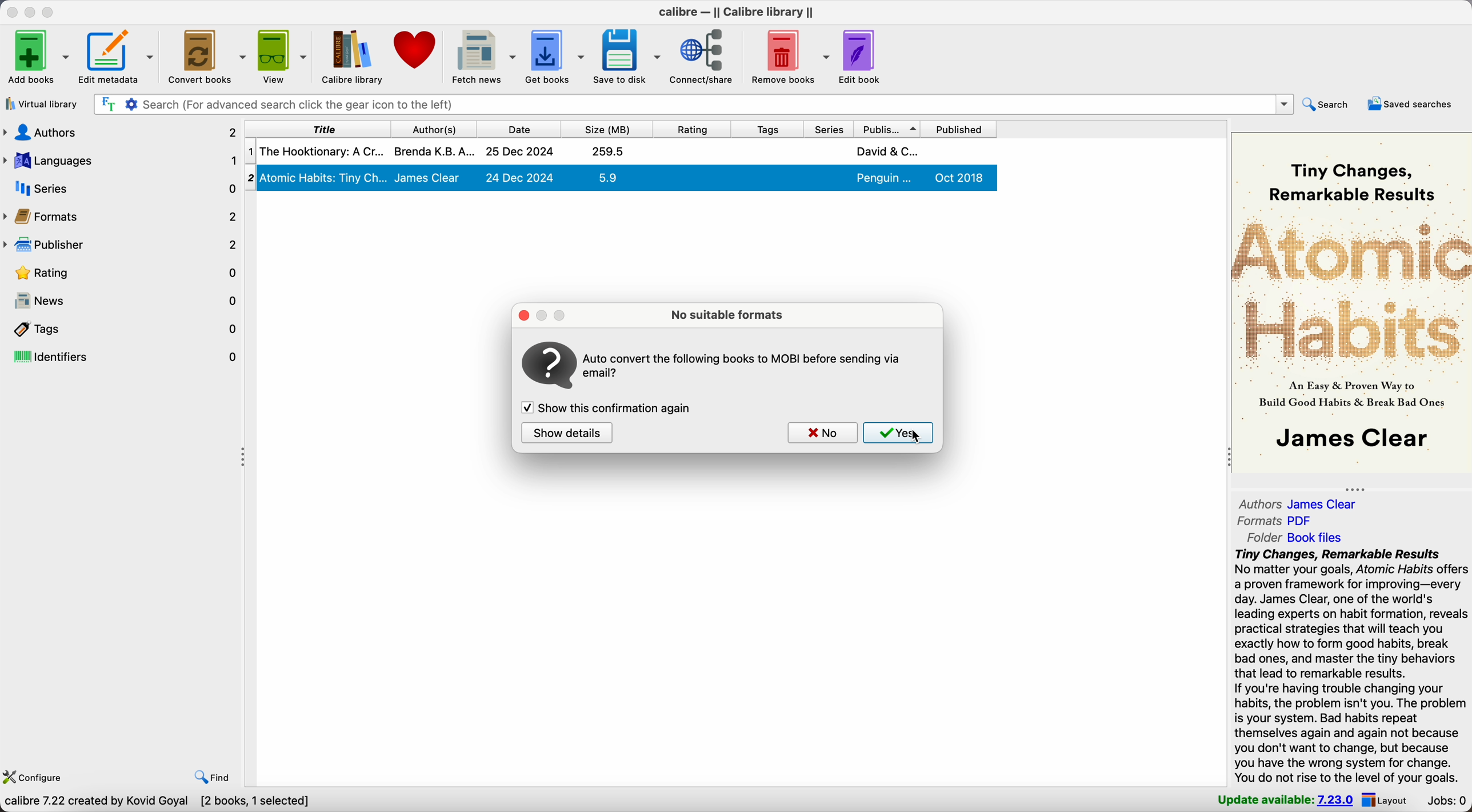 Image resolution: width=1472 pixels, height=812 pixels. Describe the element at coordinates (885, 178) in the screenshot. I see `Penguin` at that location.